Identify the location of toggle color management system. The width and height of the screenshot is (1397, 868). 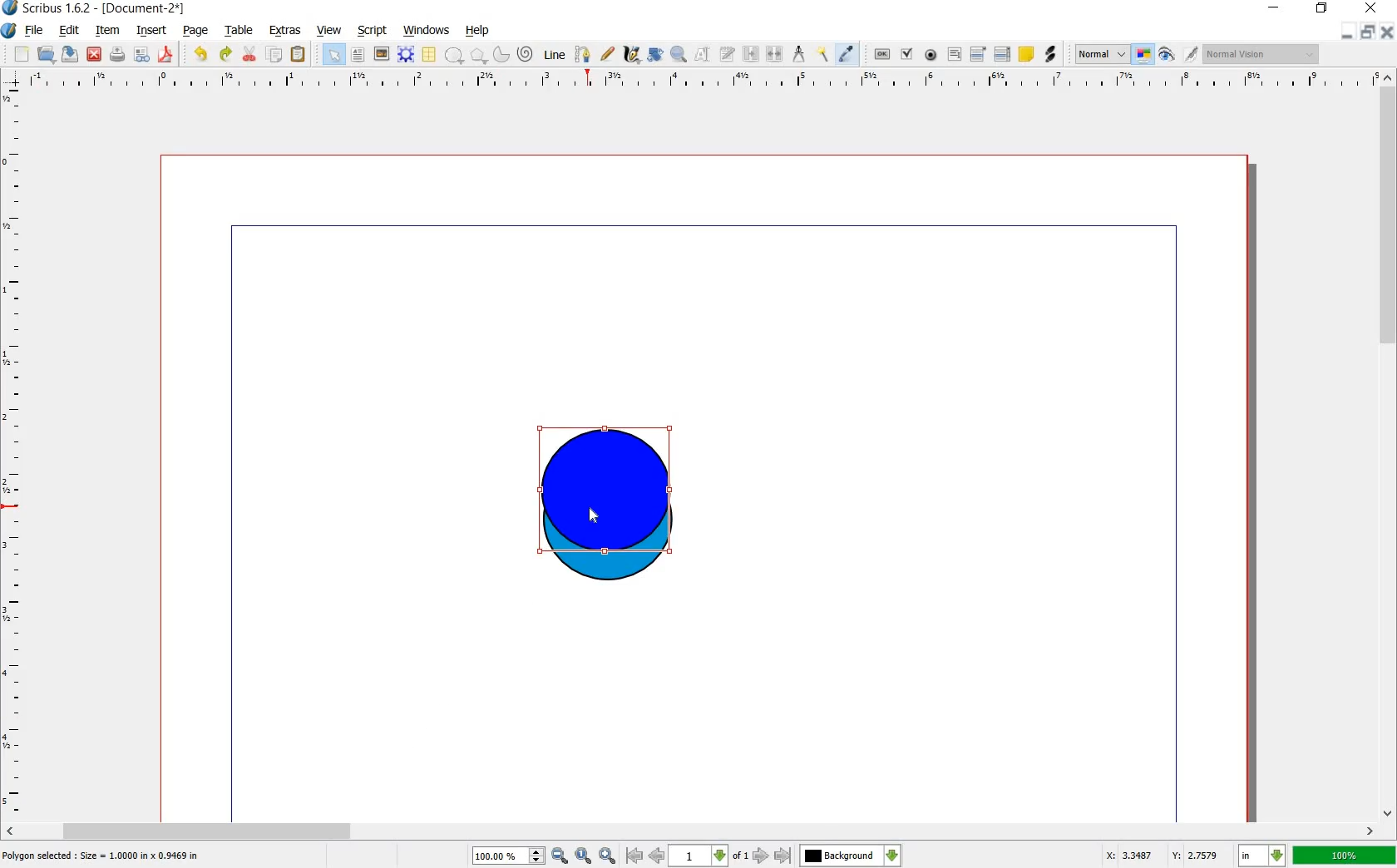
(1143, 54).